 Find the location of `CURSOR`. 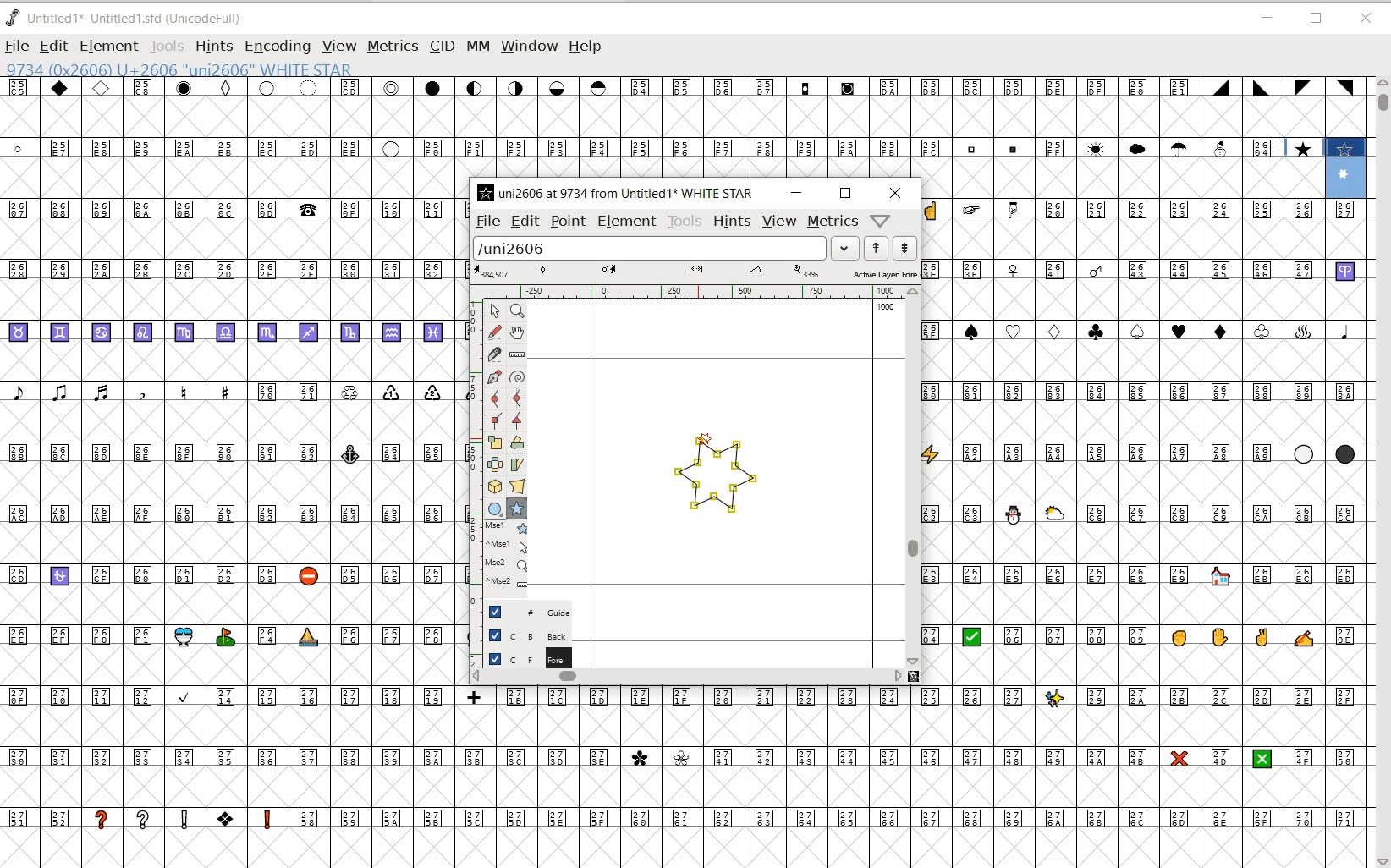

CURSOR is located at coordinates (879, 64).